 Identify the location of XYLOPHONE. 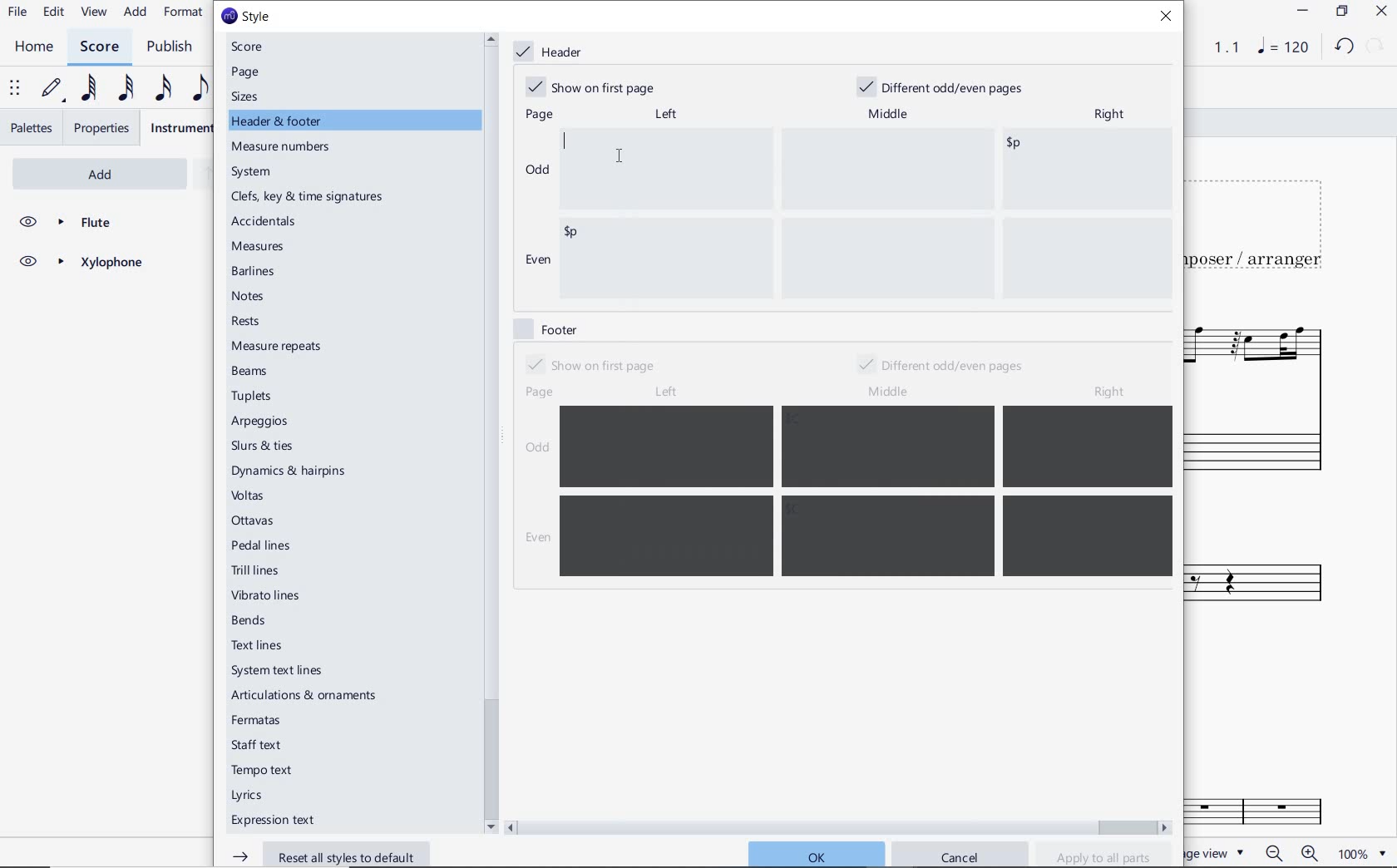
(80, 264).